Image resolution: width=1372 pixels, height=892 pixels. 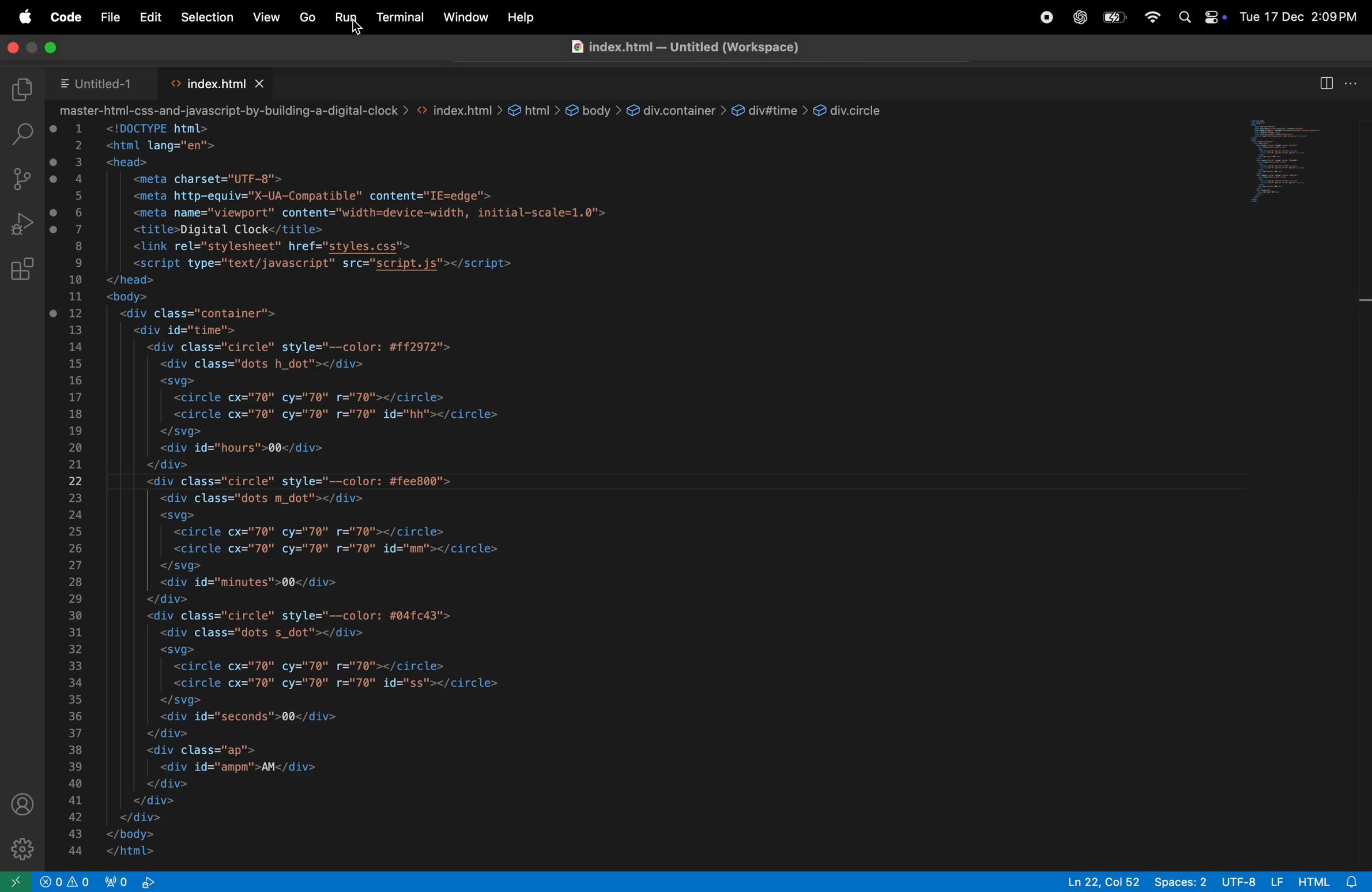 I want to click on search, so click(x=21, y=133).